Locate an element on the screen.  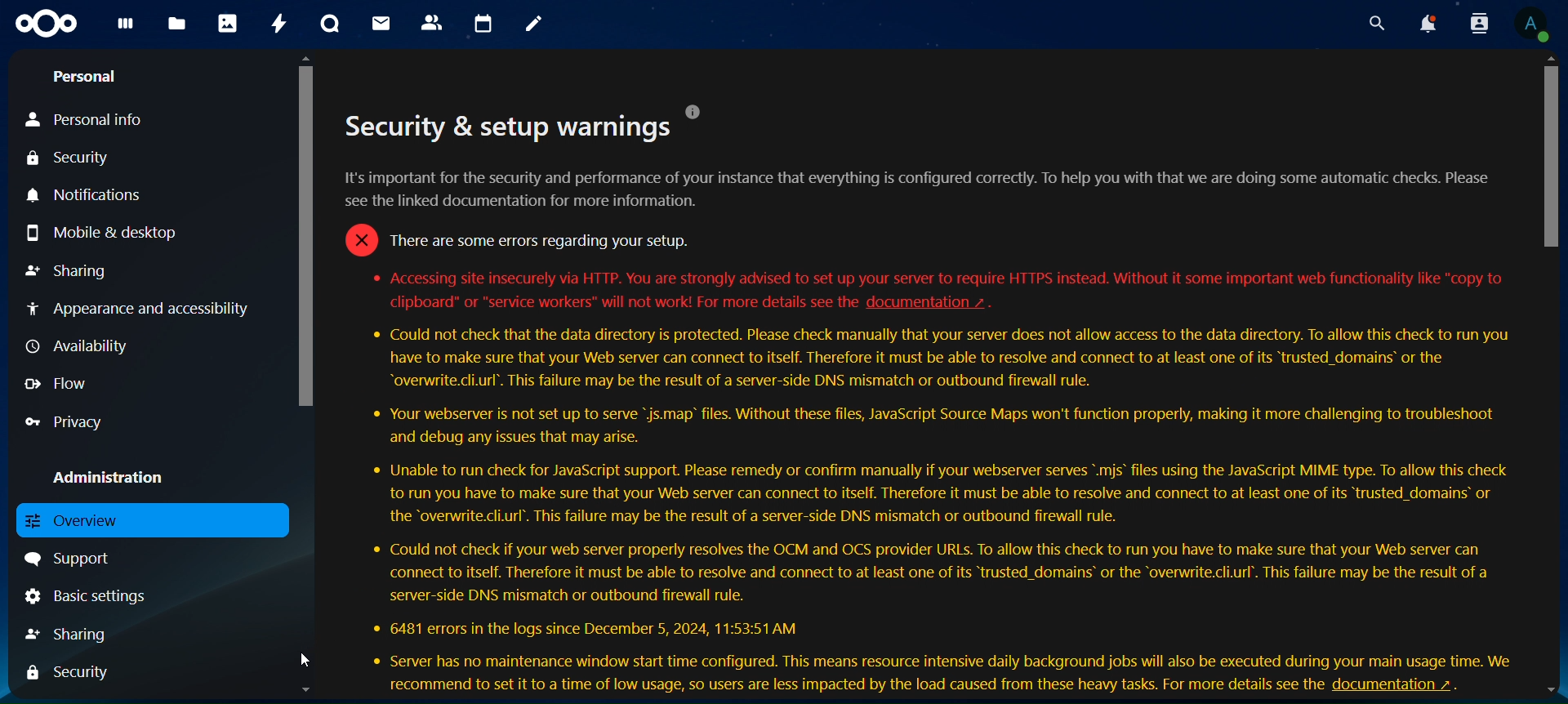
overview is located at coordinates (77, 520).